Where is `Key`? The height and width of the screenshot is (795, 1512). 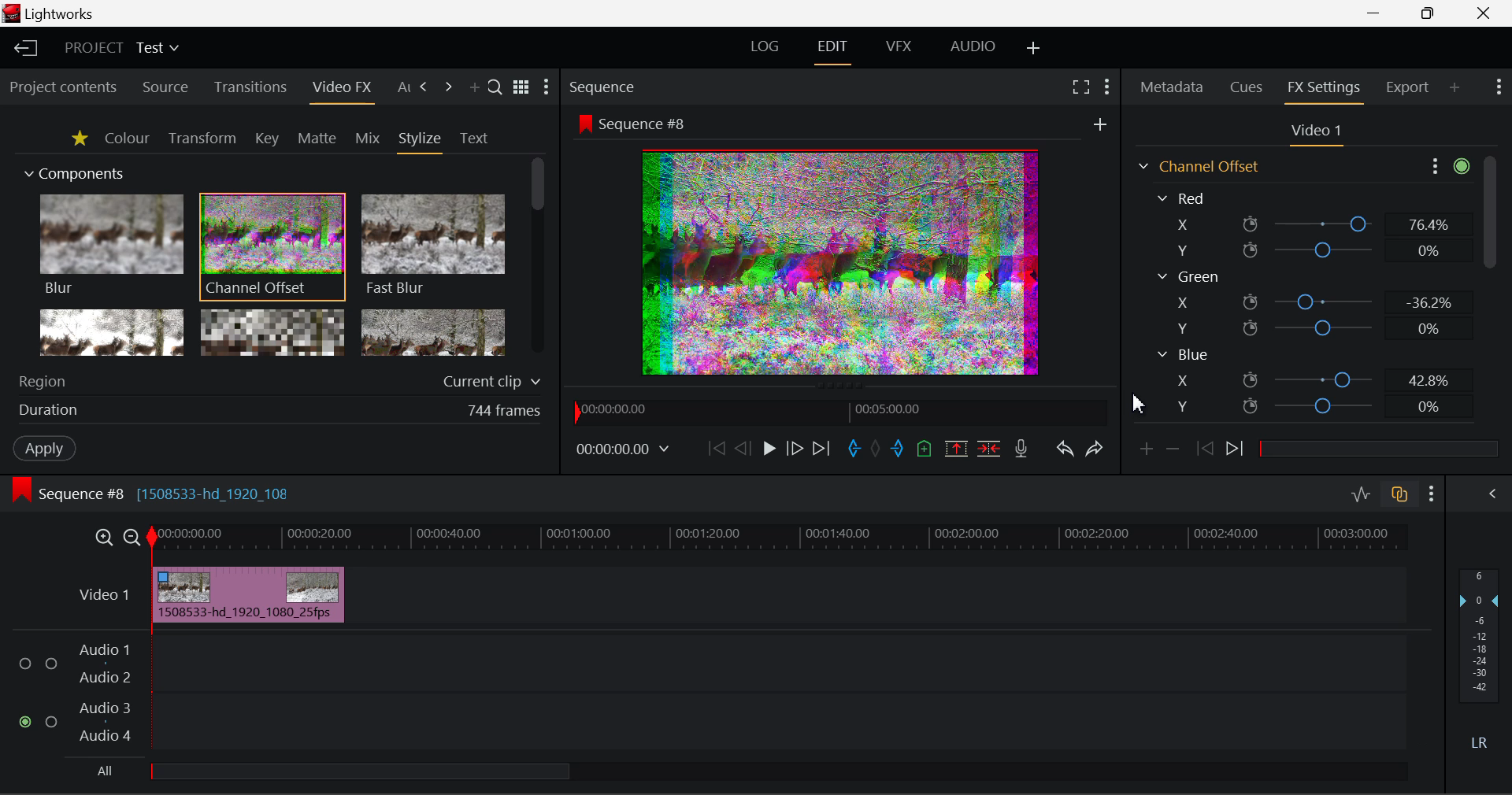
Key is located at coordinates (265, 139).